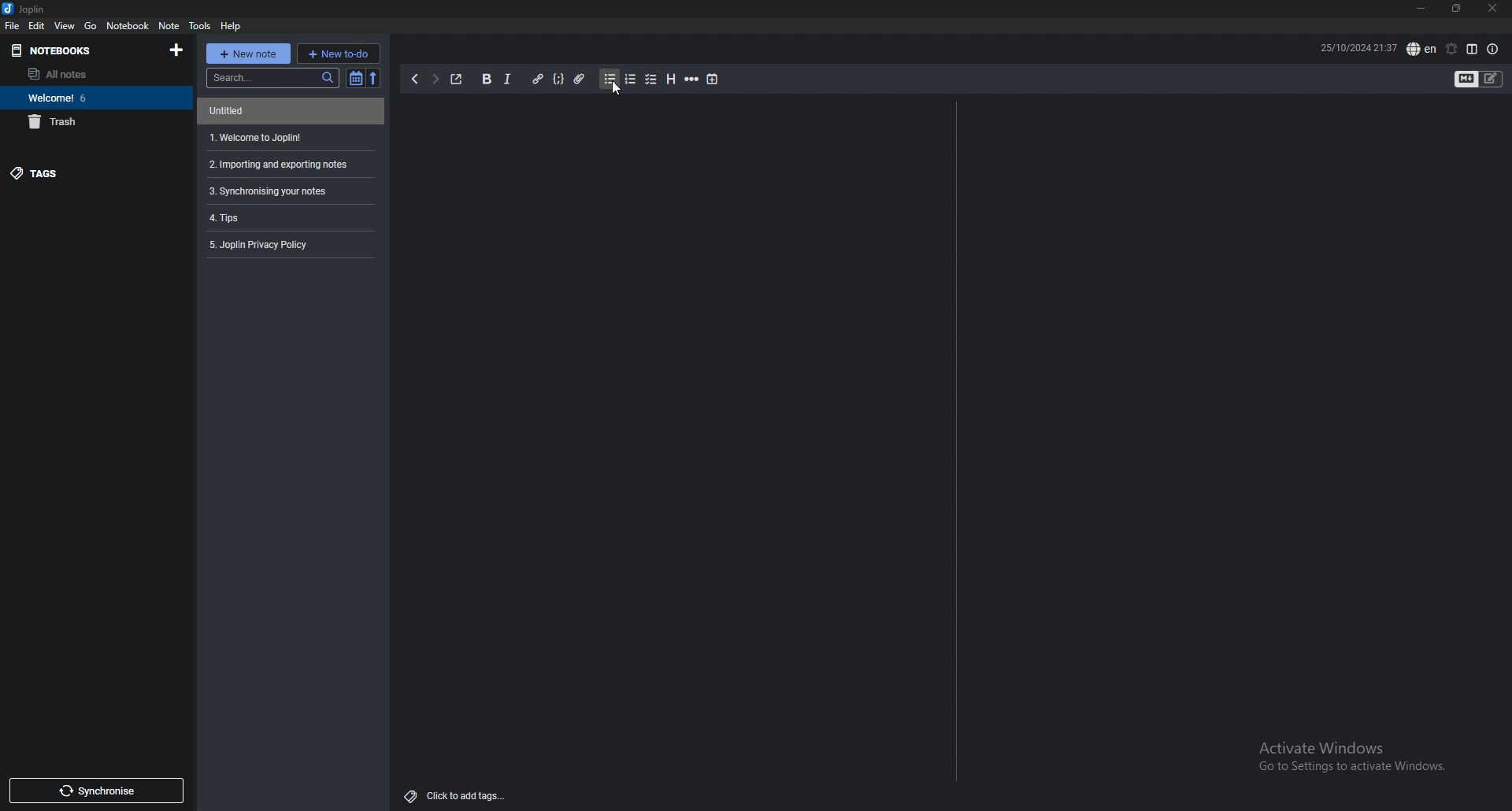 This screenshot has width=1512, height=811. What do you see at coordinates (1455, 12) in the screenshot?
I see `maximize` at bounding box center [1455, 12].